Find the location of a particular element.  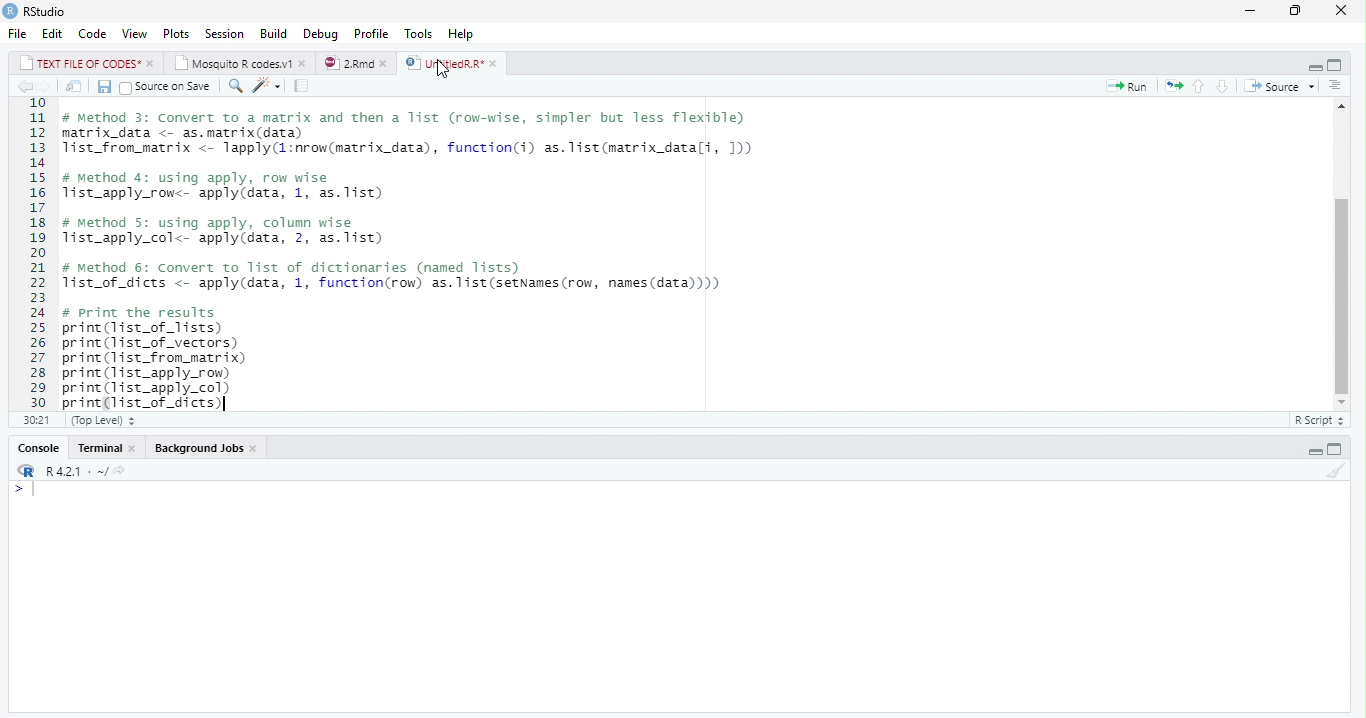

Hide is located at coordinates (1313, 449).